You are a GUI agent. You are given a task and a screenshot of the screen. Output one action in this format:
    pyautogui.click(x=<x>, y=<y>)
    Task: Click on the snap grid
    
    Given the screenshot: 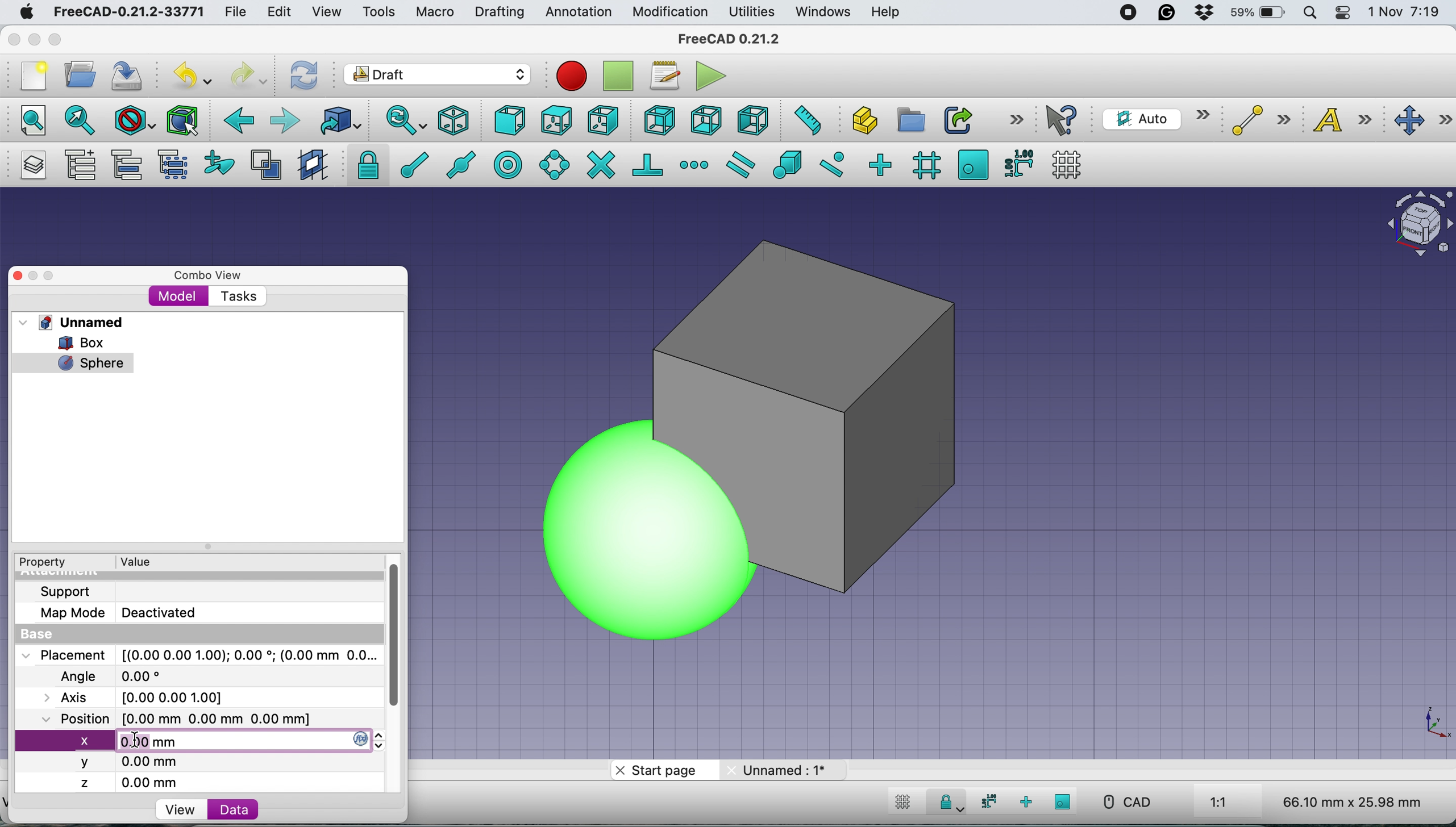 What is the action you would take?
    pyautogui.click(x=925, y=165)
    